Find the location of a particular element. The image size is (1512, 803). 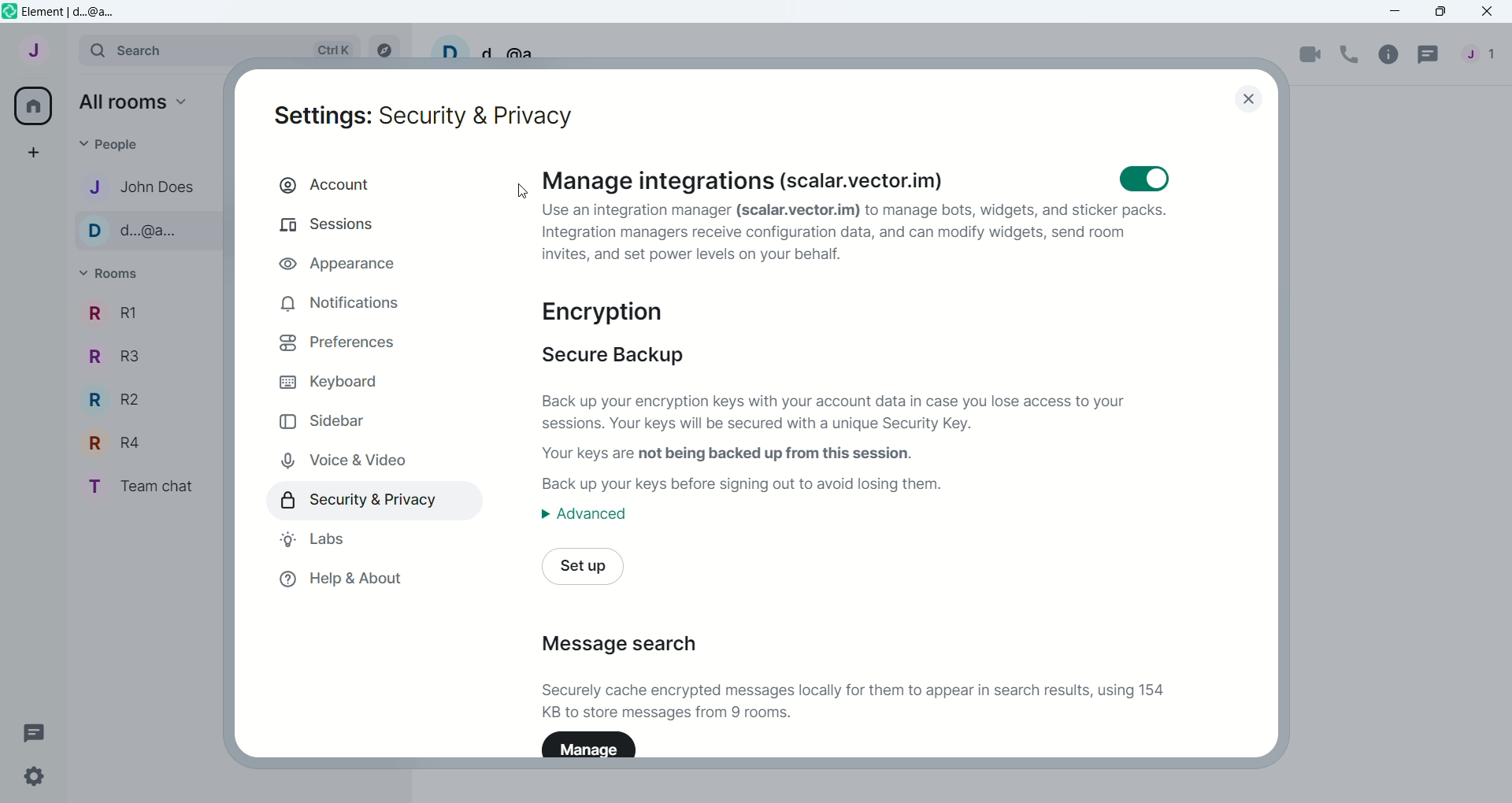

T Team chat is located at coordinates (143, 487).